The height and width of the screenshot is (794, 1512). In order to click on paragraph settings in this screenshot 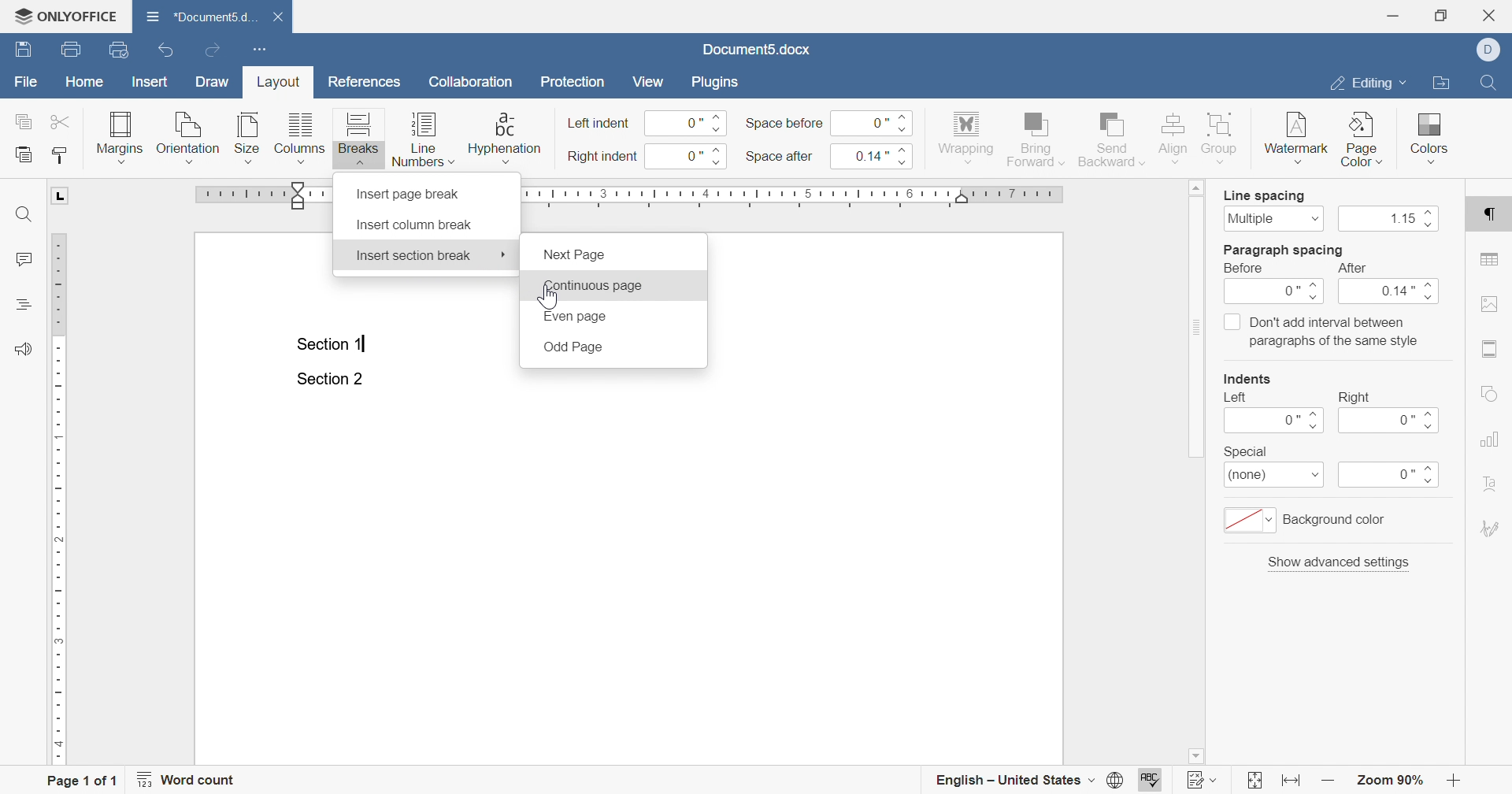, I will do `click(1491, 217)`.